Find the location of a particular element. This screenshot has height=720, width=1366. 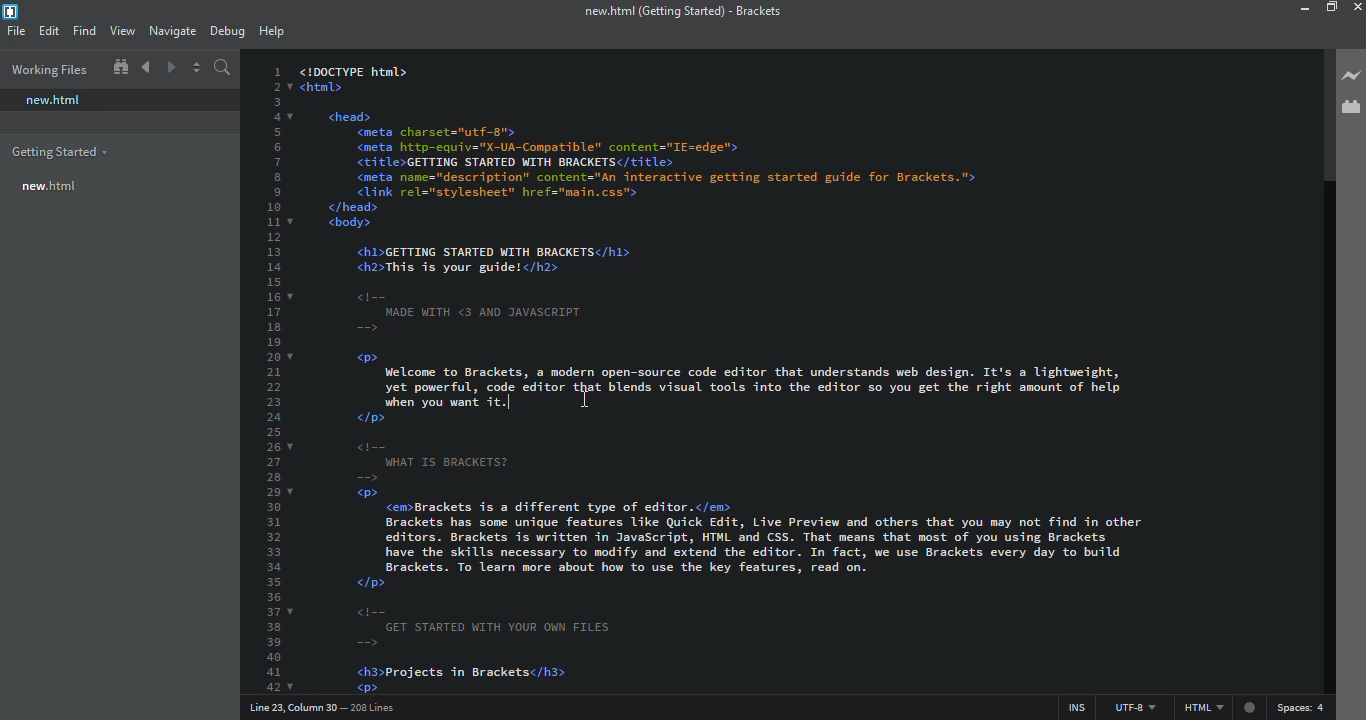

navigate back is located at coordinates (147, 66).